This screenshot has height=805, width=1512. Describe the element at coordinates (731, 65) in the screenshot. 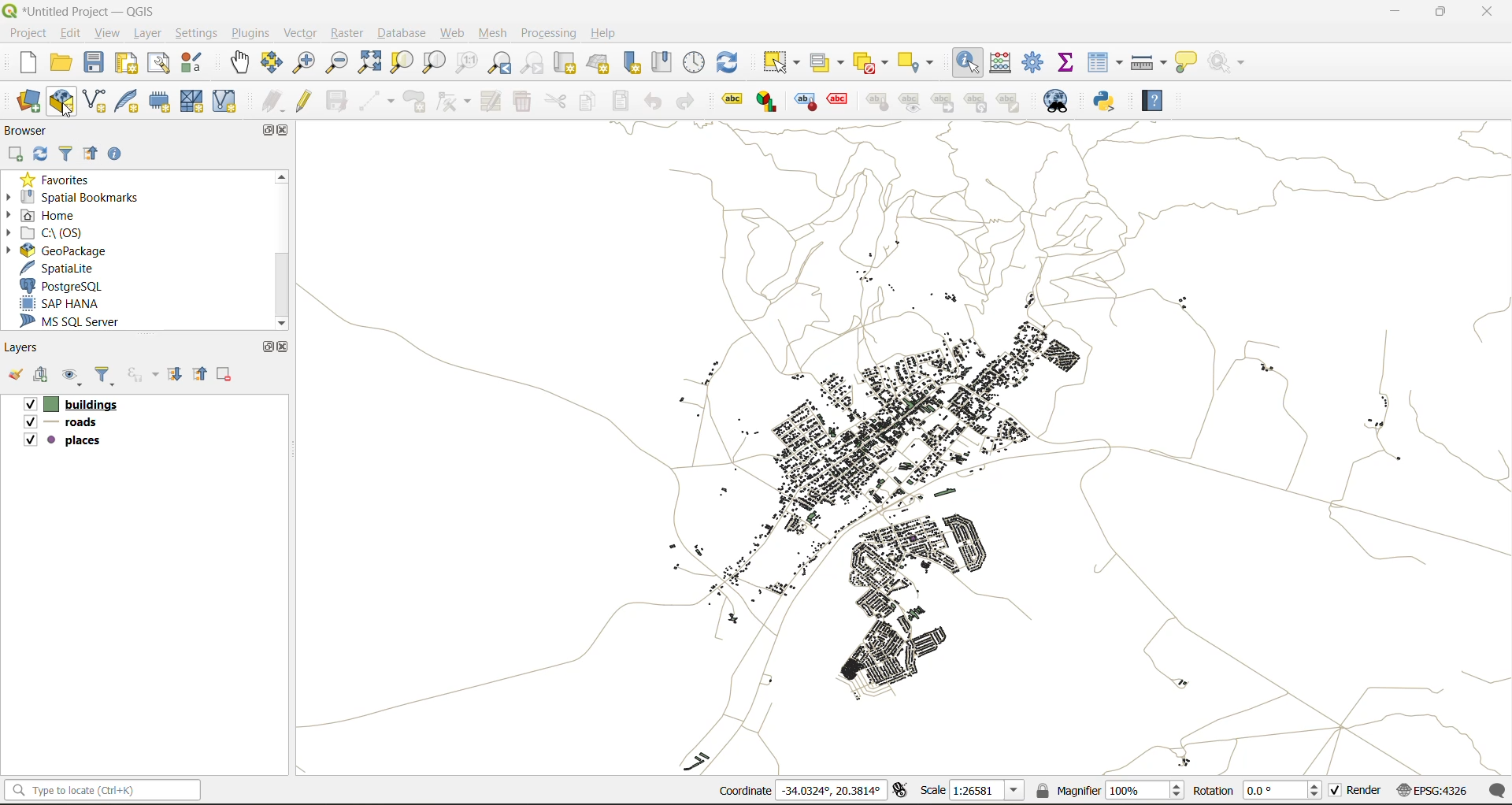

I see `refresh` at that location.